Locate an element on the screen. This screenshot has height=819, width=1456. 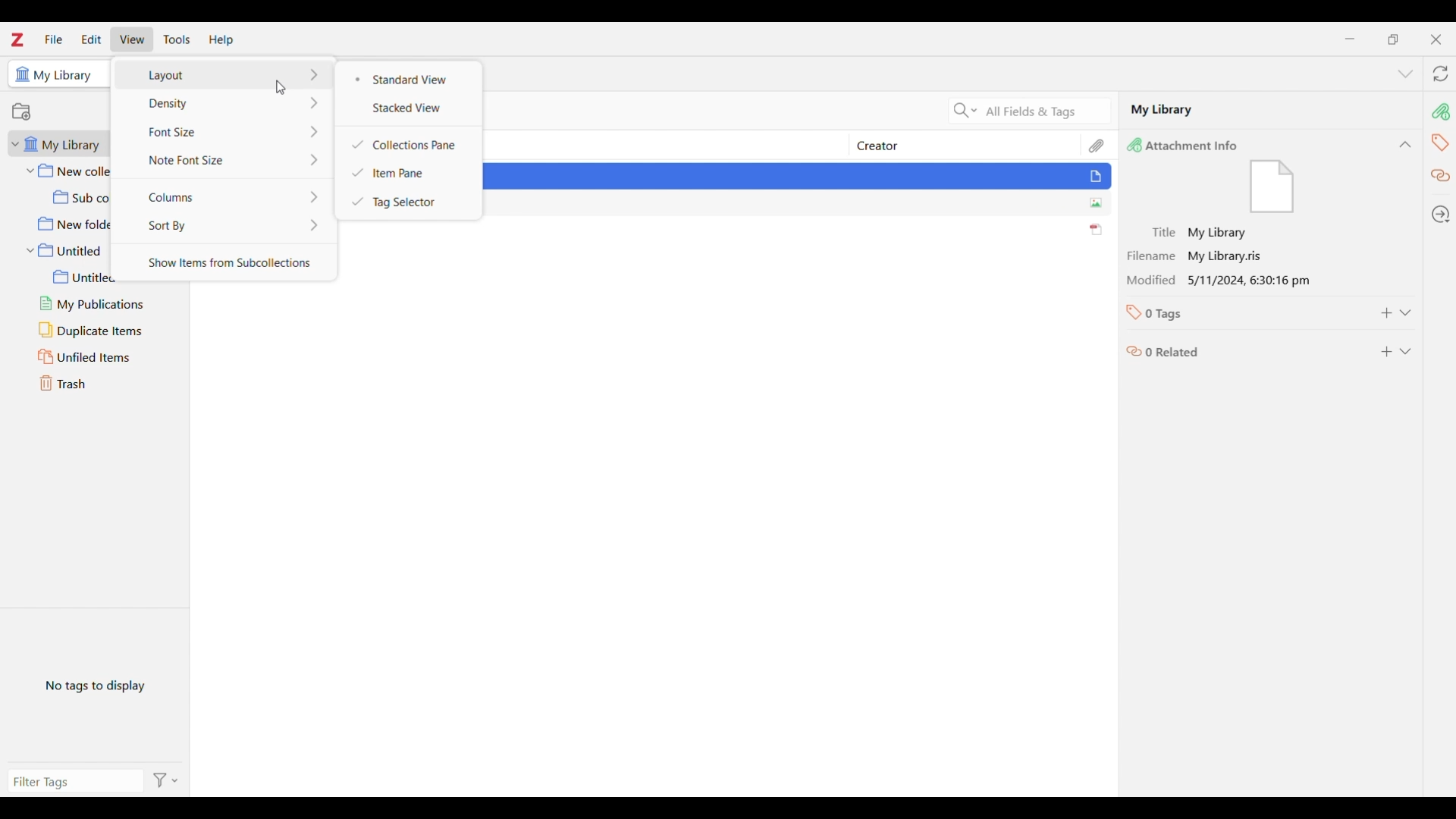
View menu highlighted is located at coordinates (133, 39).